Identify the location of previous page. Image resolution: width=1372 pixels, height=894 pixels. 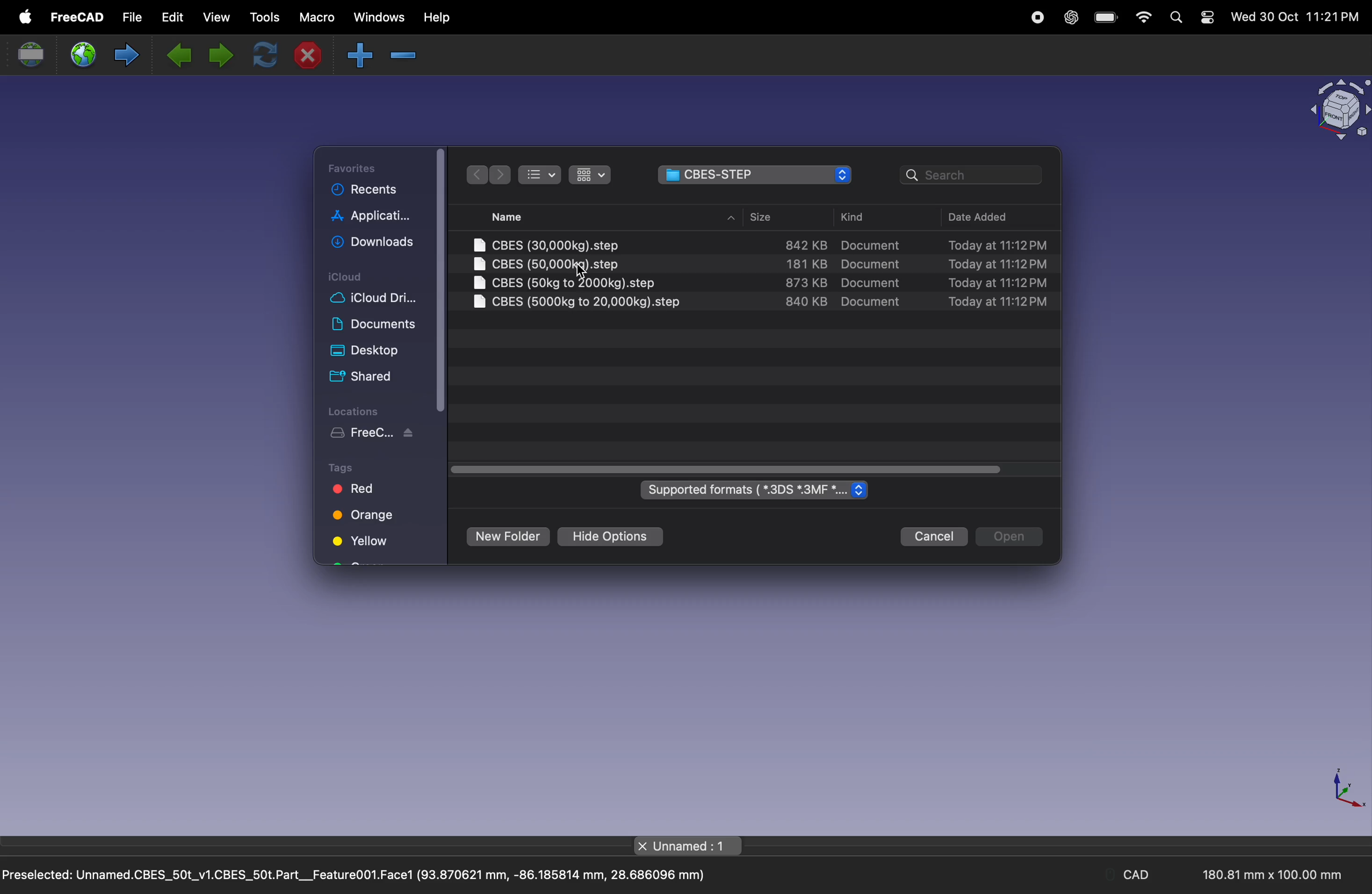
(182, 55).